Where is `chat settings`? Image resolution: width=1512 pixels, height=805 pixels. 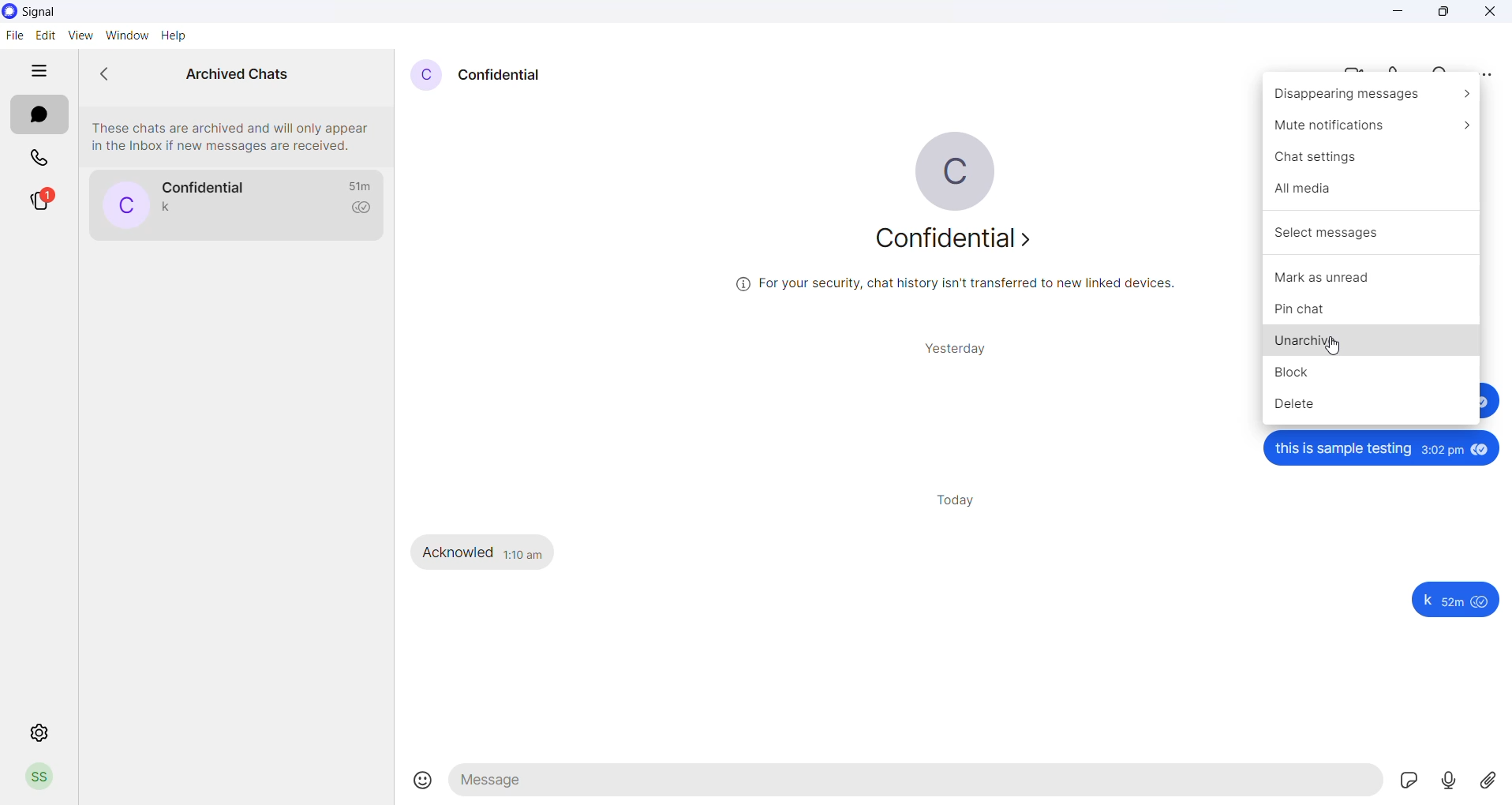 chat settings is located at coordinates (1372, 159).